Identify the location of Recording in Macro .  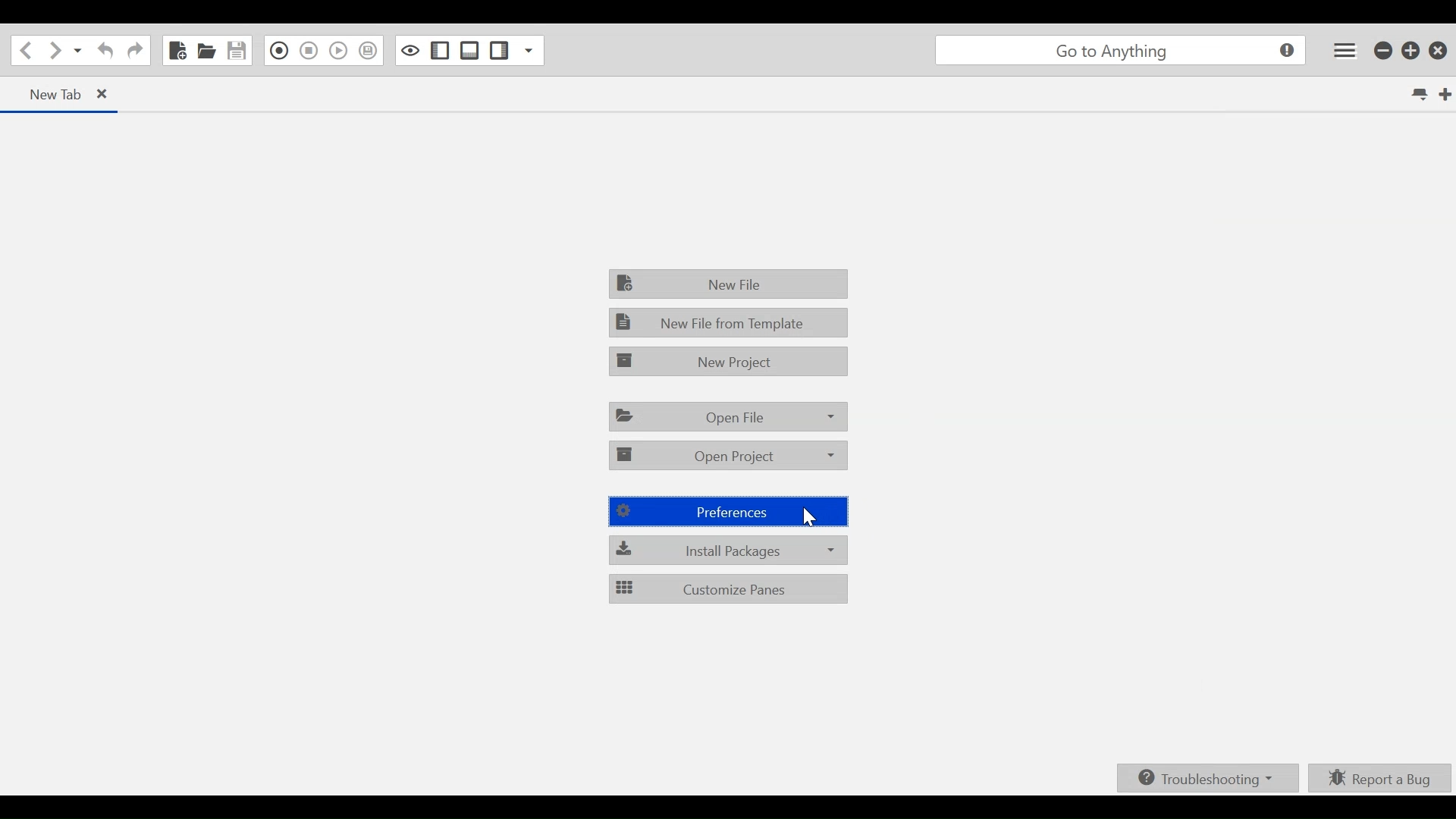
(280, 50).